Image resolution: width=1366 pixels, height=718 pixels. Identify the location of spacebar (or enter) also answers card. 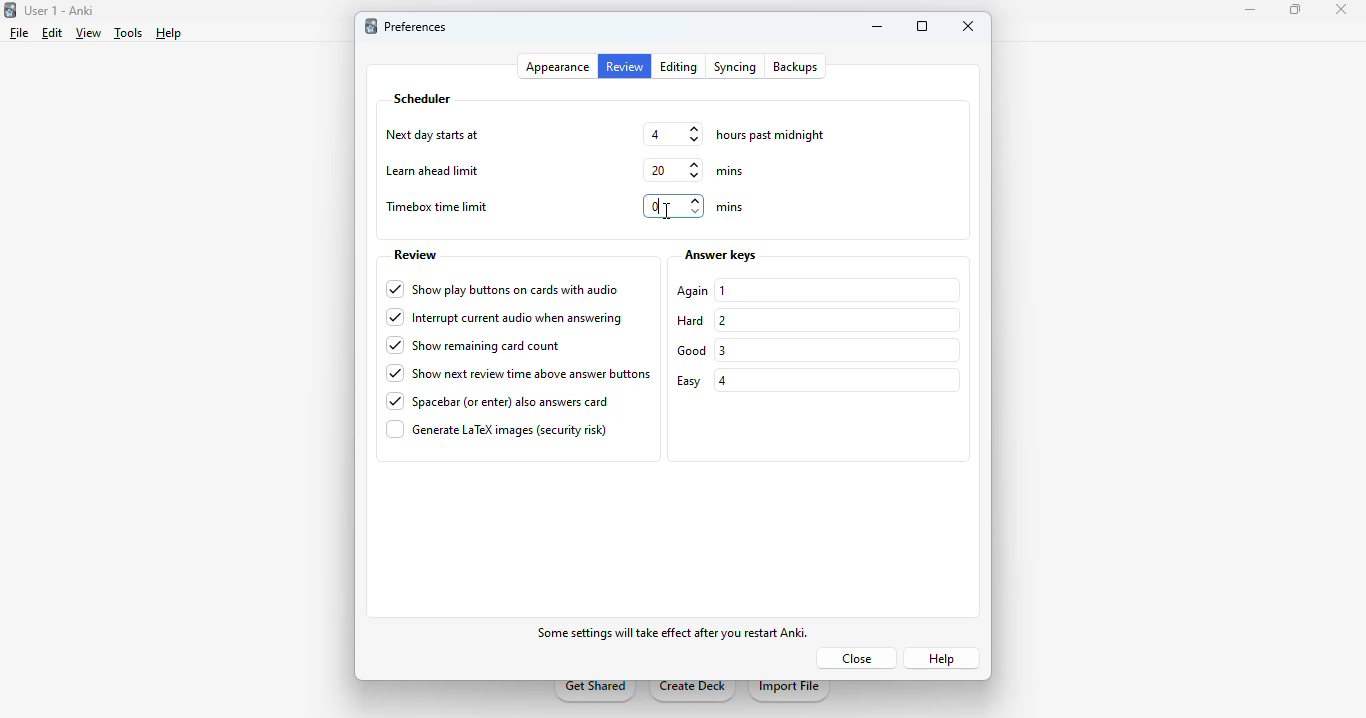
(498, 402).